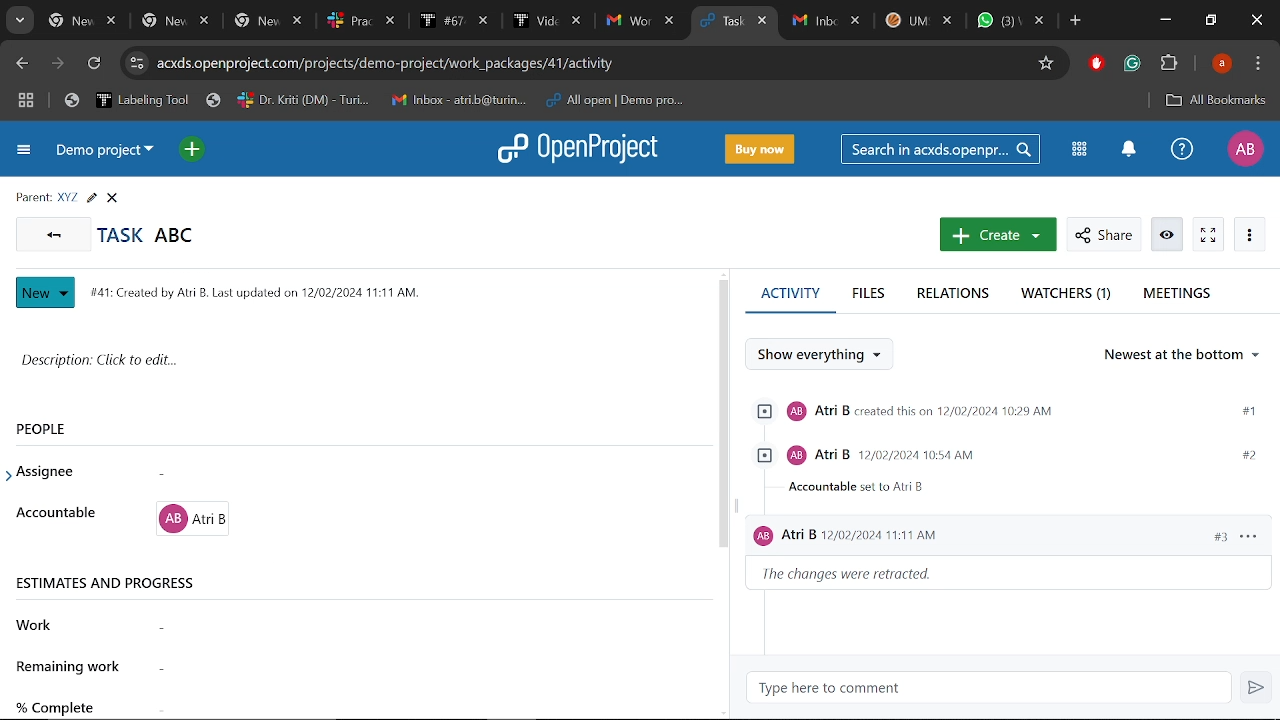 The width and height of the screenshot is (1280, 720). What do you see at coordinates (20, 20) in the screenshot?
I see `Search tabs` at bounding box center [20, 20].